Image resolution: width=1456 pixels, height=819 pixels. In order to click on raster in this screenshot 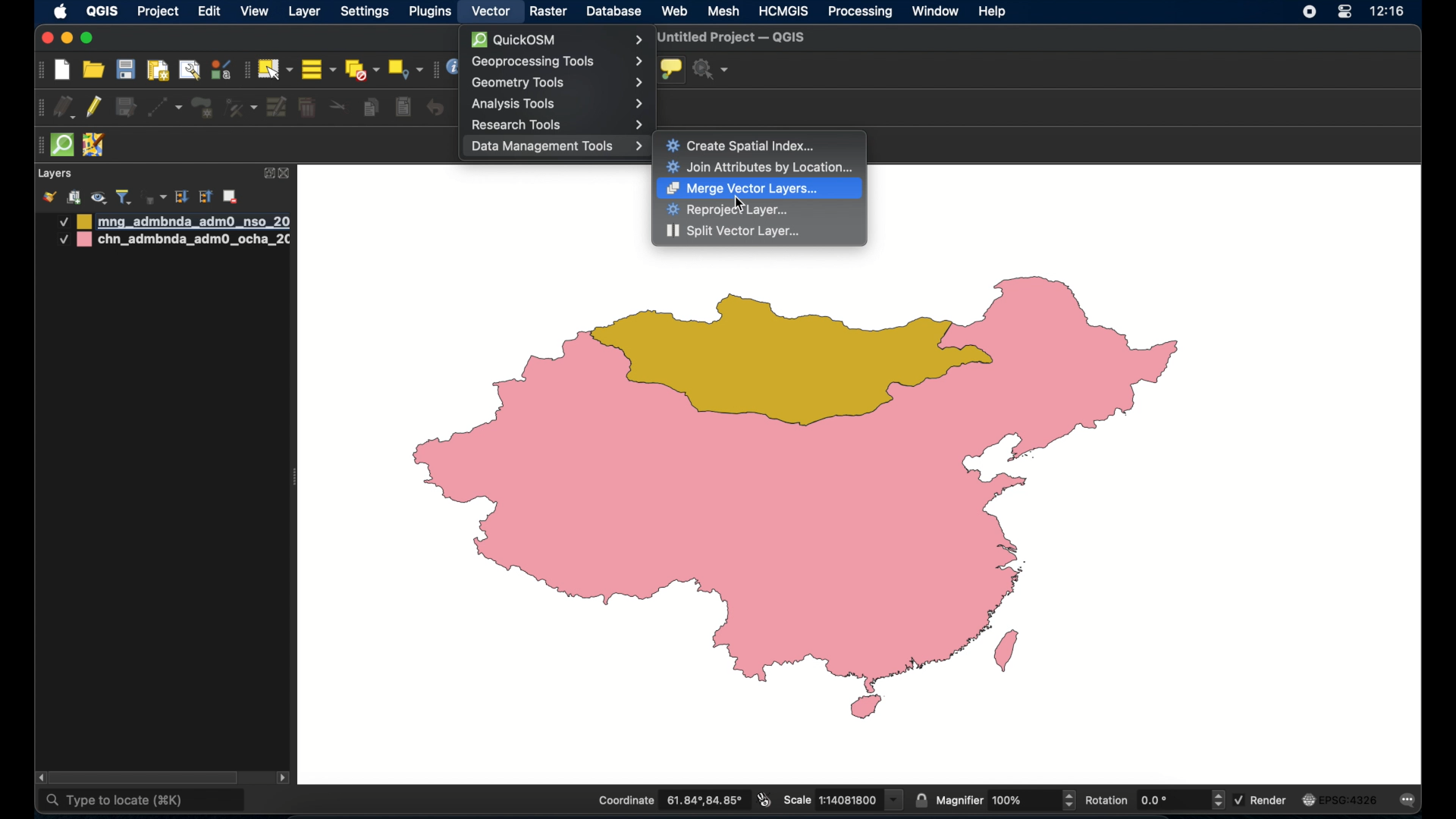, I will do `click(548, 12)`.